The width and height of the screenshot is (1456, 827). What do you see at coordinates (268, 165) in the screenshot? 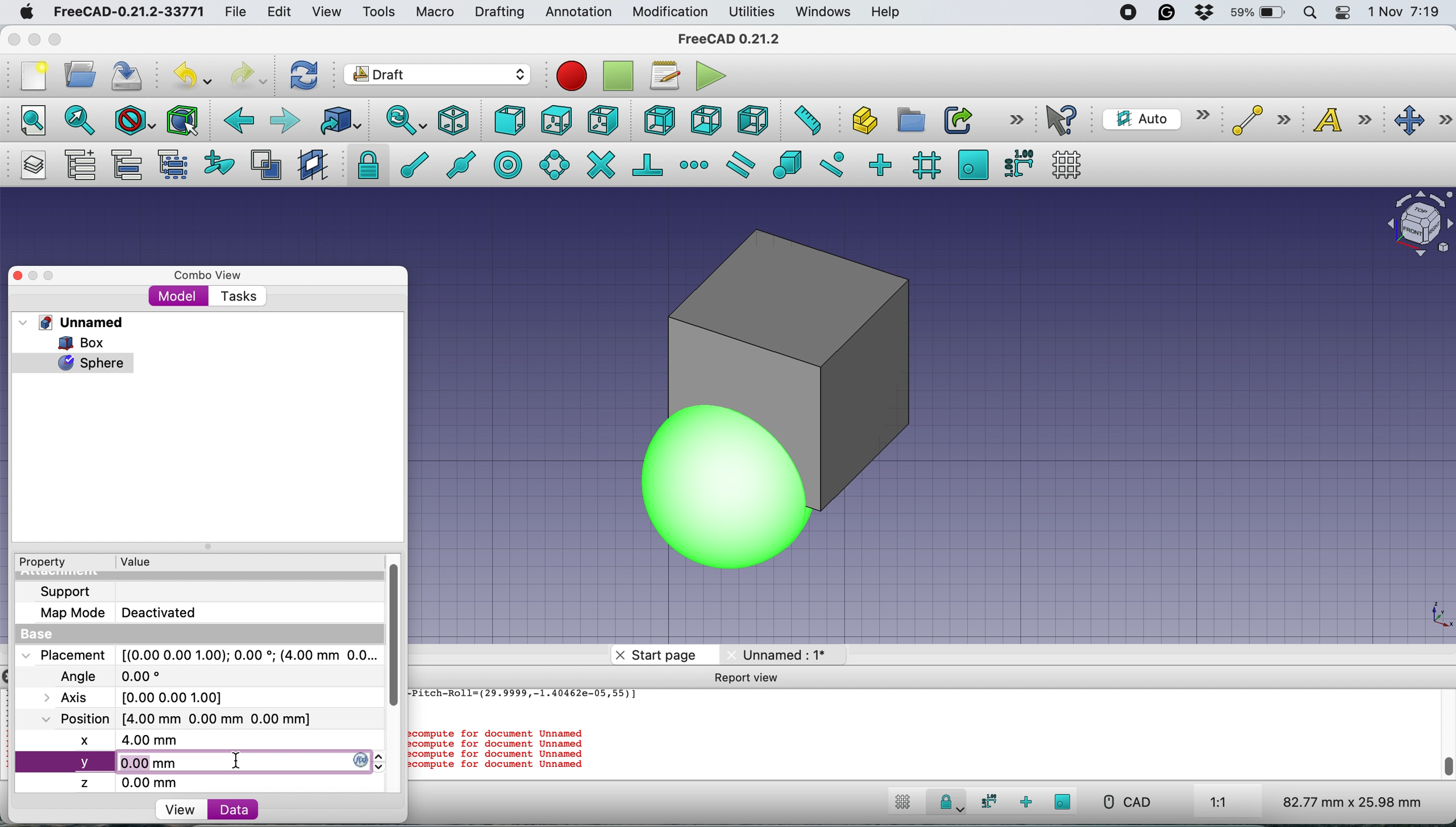
I see `toggle normal wireframe display` at bounding box center [268, 165].